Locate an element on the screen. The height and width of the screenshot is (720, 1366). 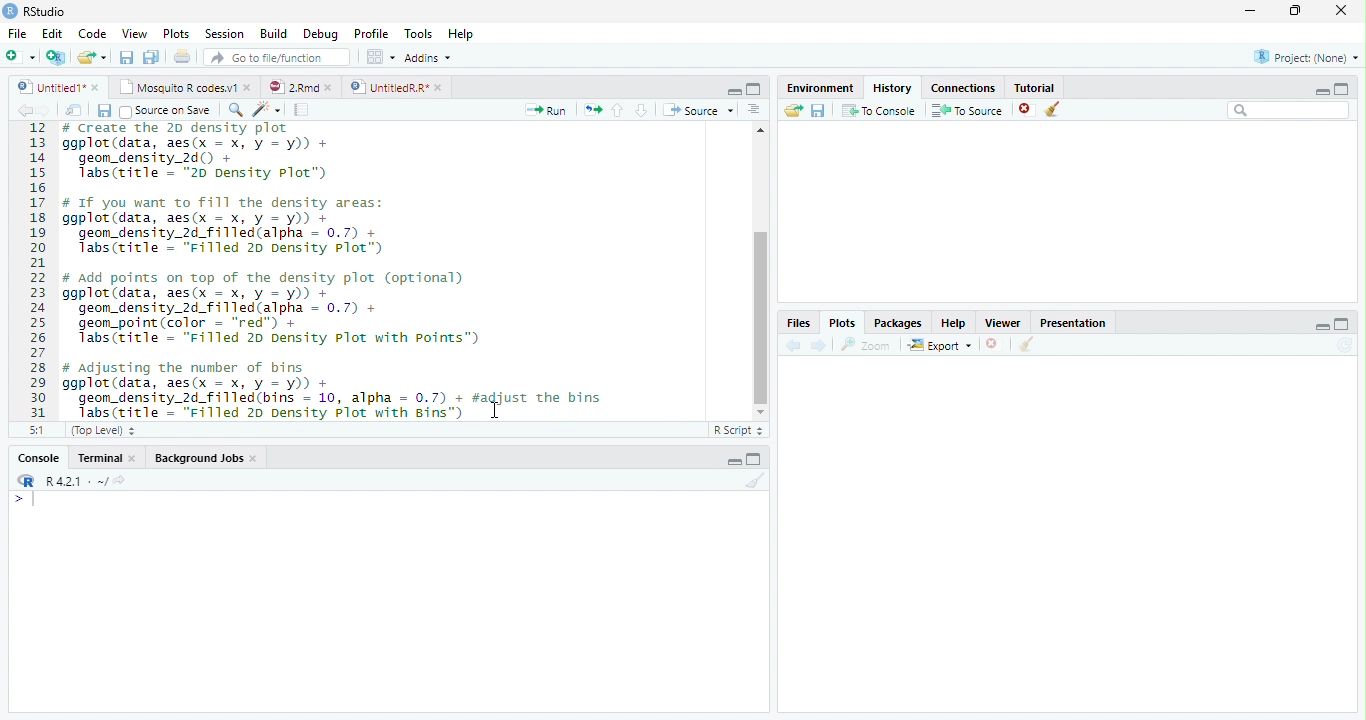
Plots is located at coordinates (175, 33).